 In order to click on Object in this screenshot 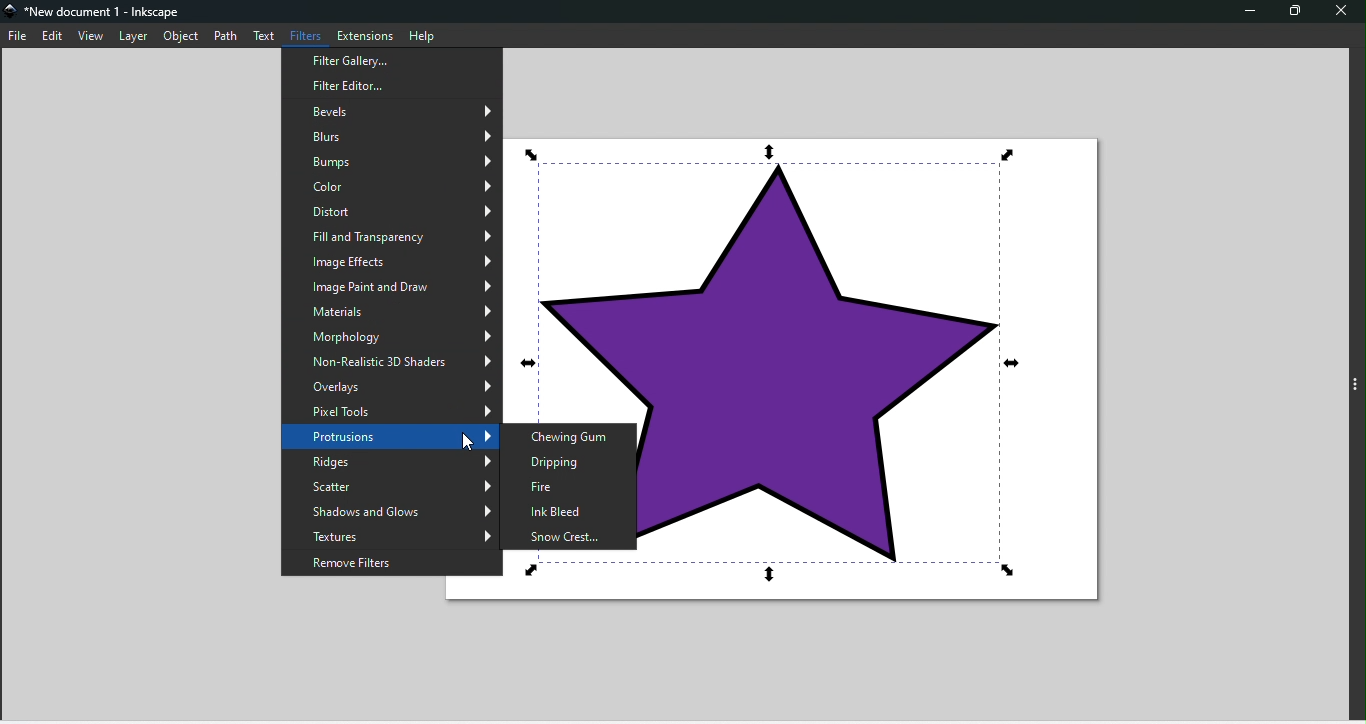, I will do `click(184, 38)`.